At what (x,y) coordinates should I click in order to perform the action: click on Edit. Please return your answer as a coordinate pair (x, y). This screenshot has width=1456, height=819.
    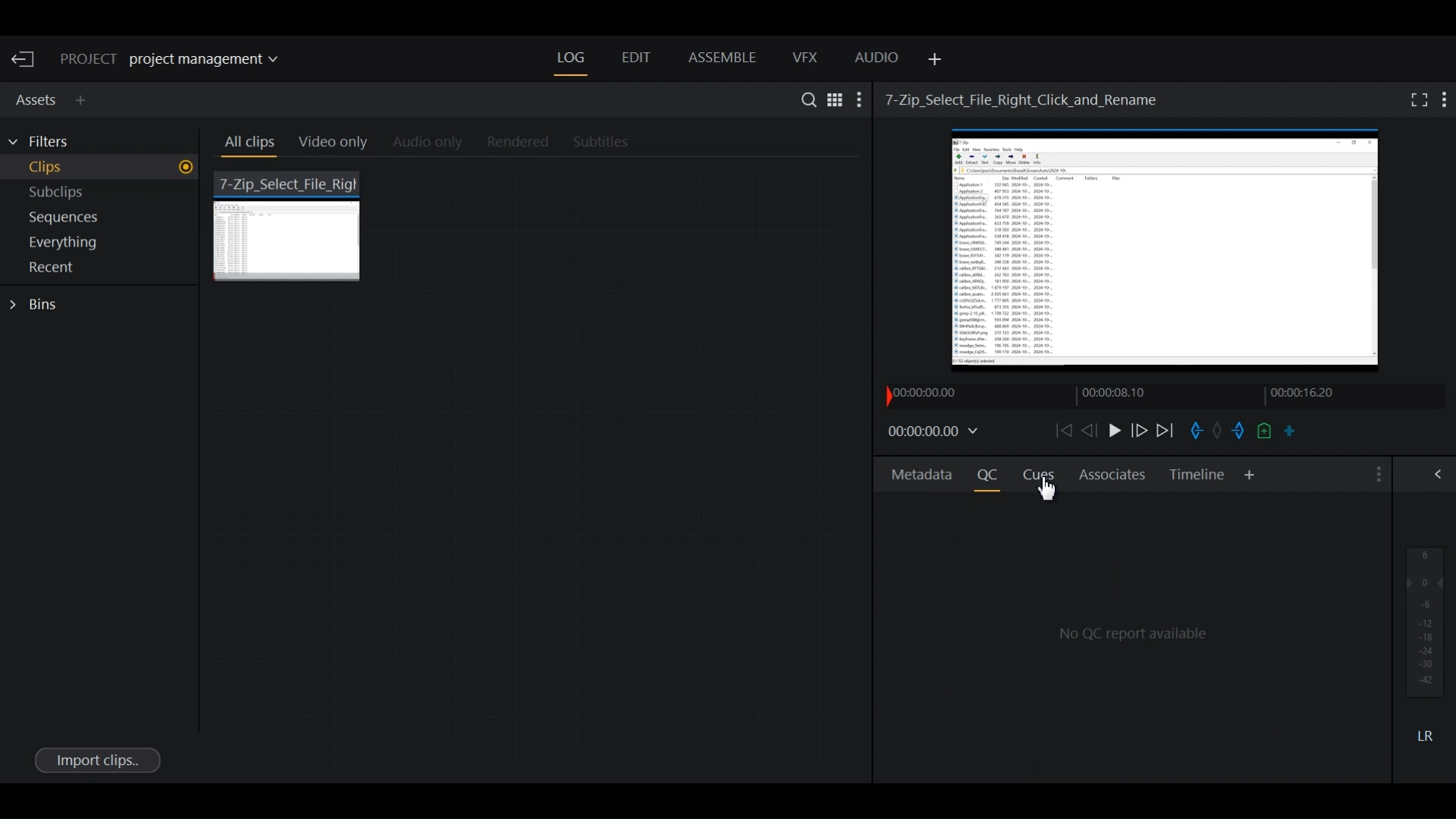
    Looking at the image, I should click on (635, 59).